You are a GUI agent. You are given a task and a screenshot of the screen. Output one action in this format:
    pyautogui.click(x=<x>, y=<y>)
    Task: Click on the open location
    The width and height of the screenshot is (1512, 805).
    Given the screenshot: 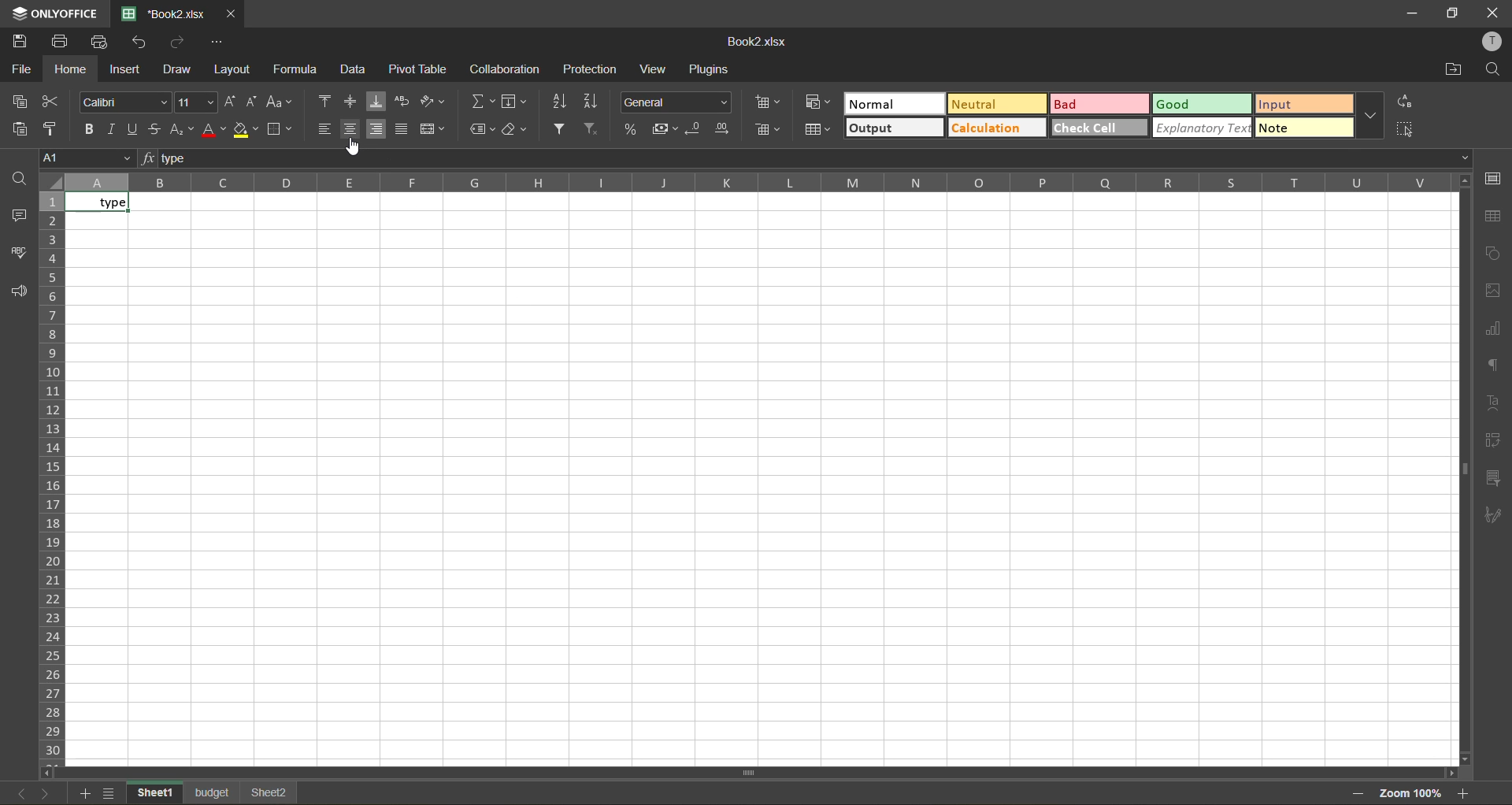 What is the action you would take?
    pyautogui.click(x=1447, y=70)
    